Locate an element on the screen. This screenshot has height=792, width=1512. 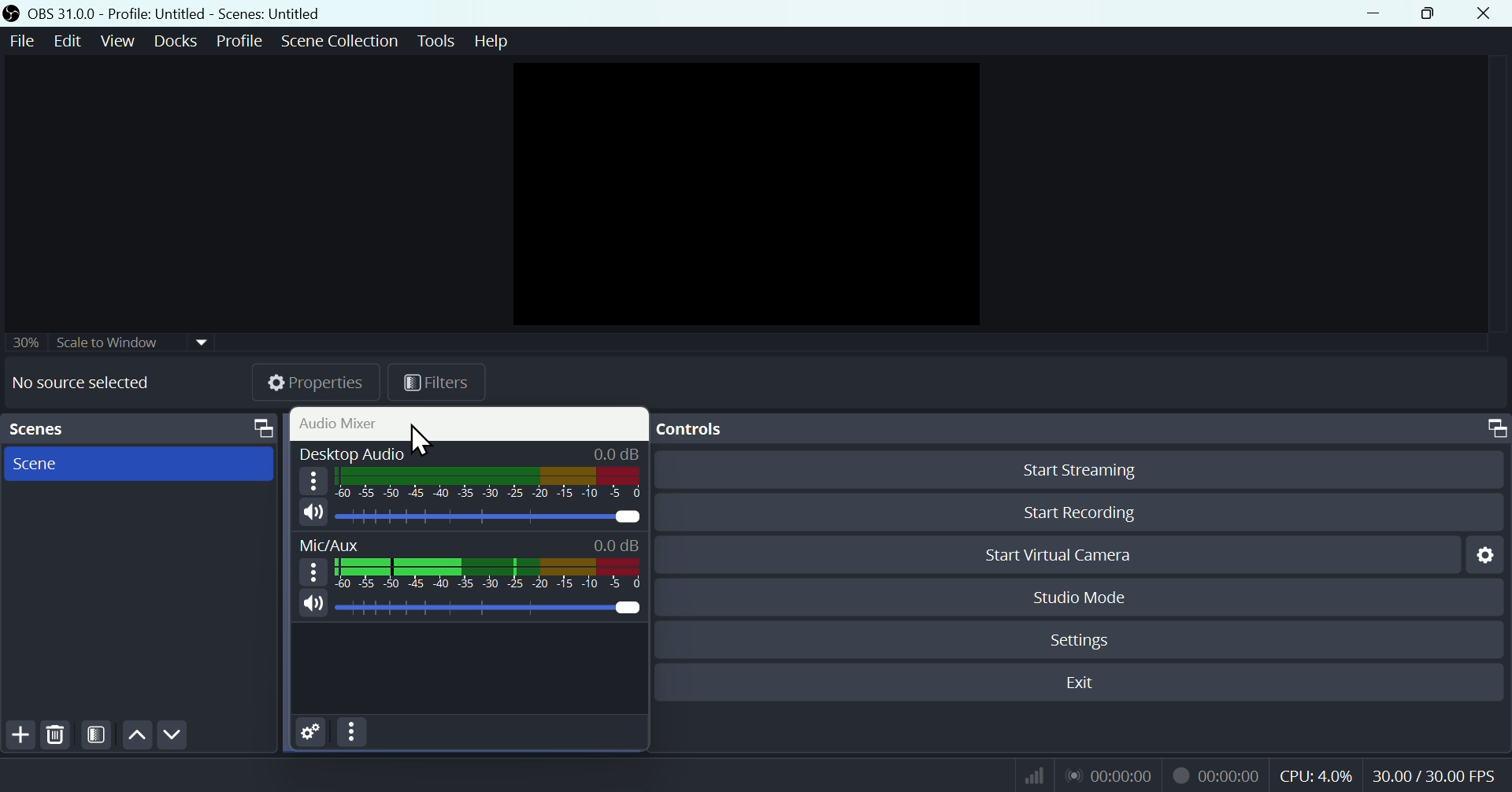
Scene collection is located at coordinates (343, 39).